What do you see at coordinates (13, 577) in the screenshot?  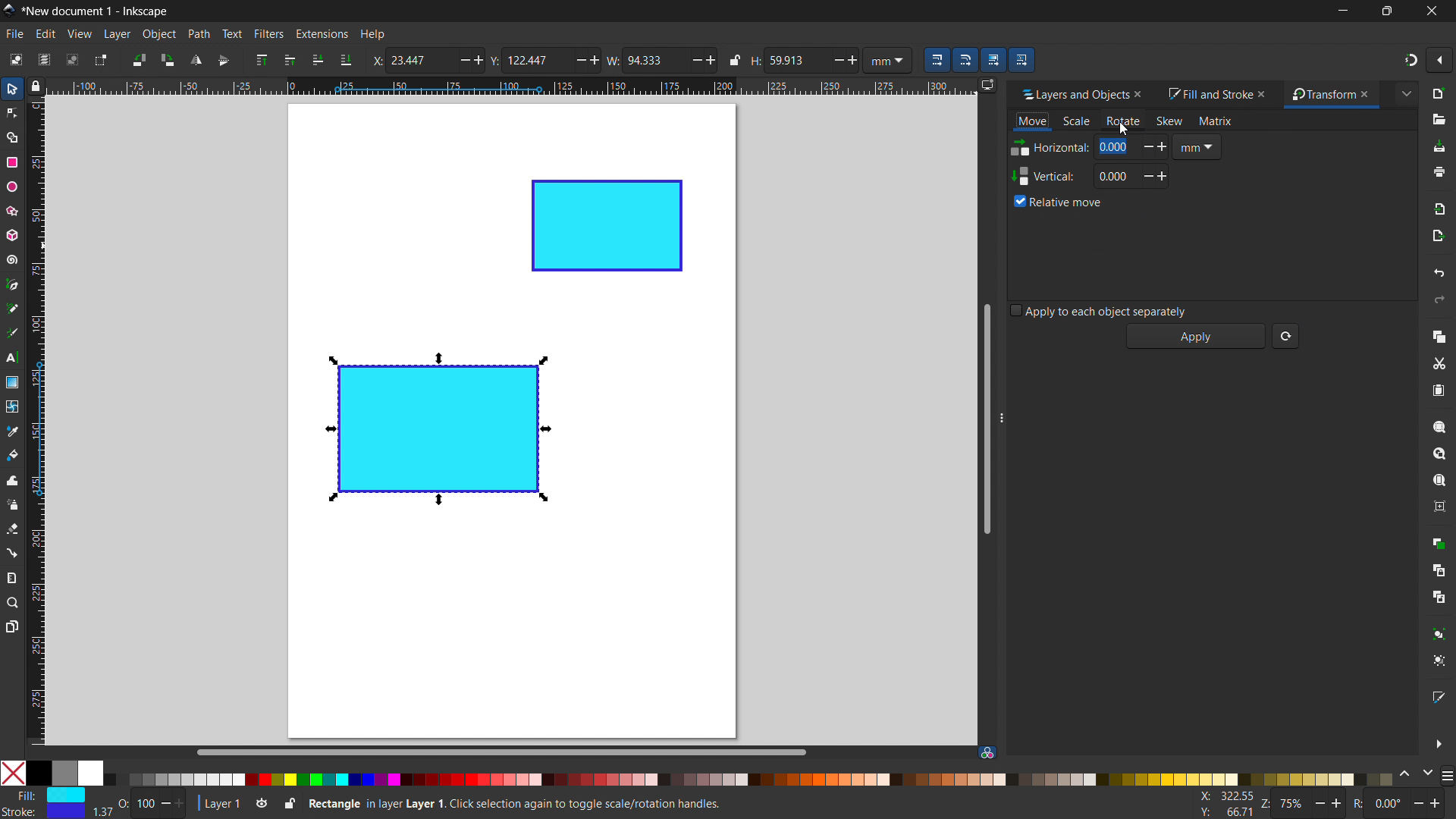 I see `measurement tool` at bounding box center [13, 577].